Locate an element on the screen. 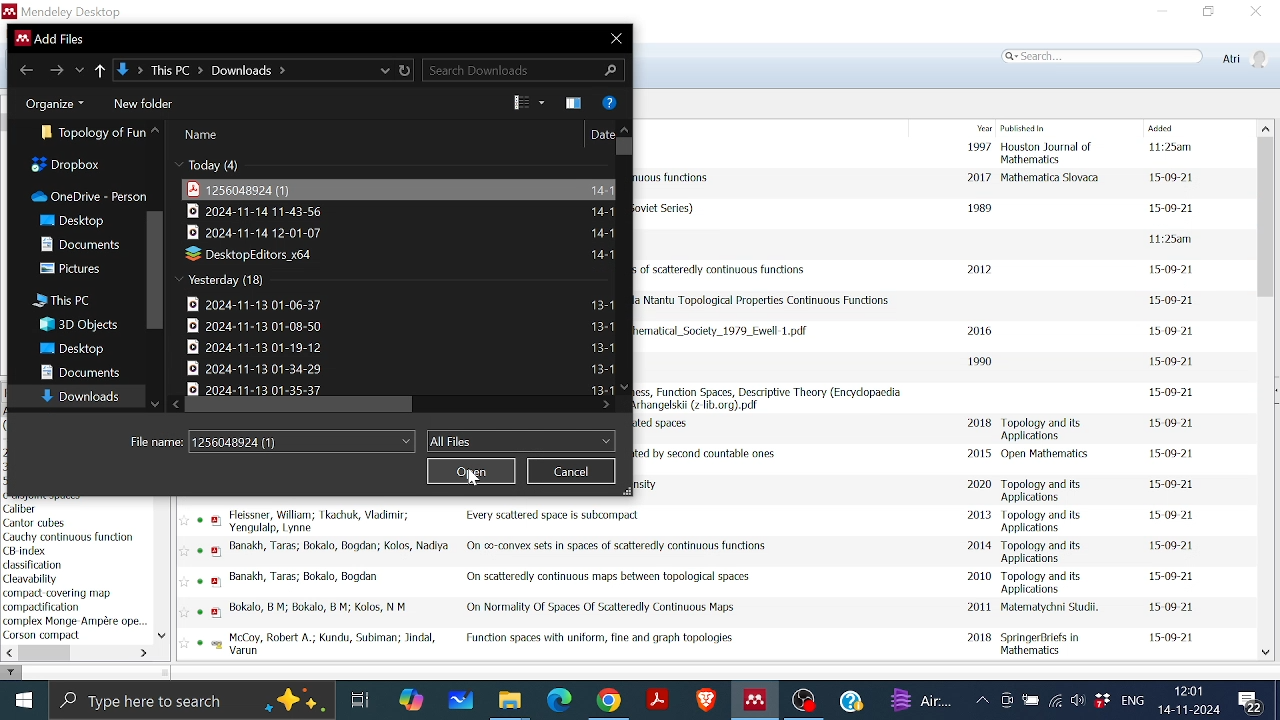 Image resolution: width=1280 pixels, height=720 pixels. keyword is located at coordinates (61, 593).